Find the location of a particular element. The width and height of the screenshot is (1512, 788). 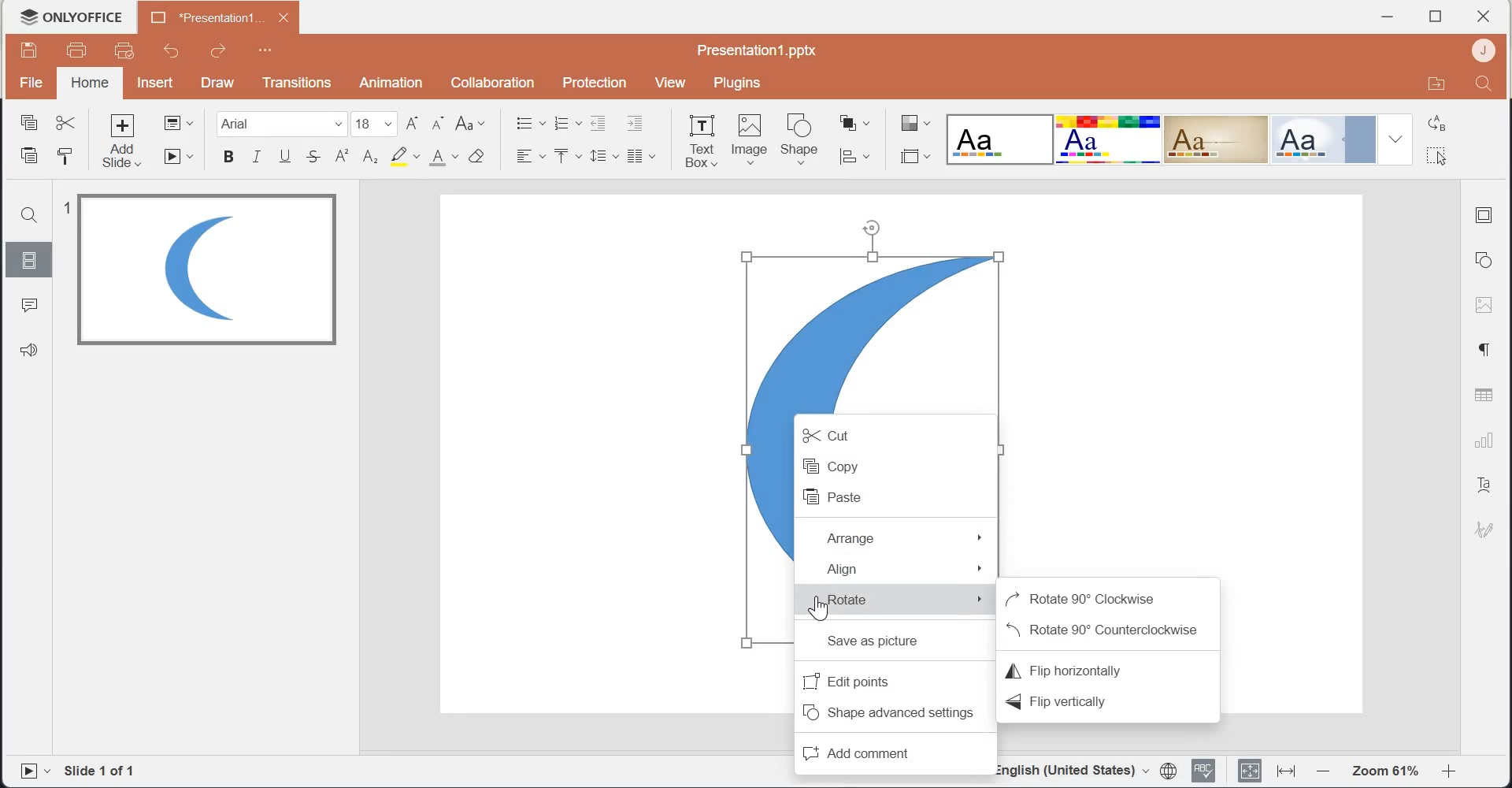

Table  is located at coordinates (1488, 395).